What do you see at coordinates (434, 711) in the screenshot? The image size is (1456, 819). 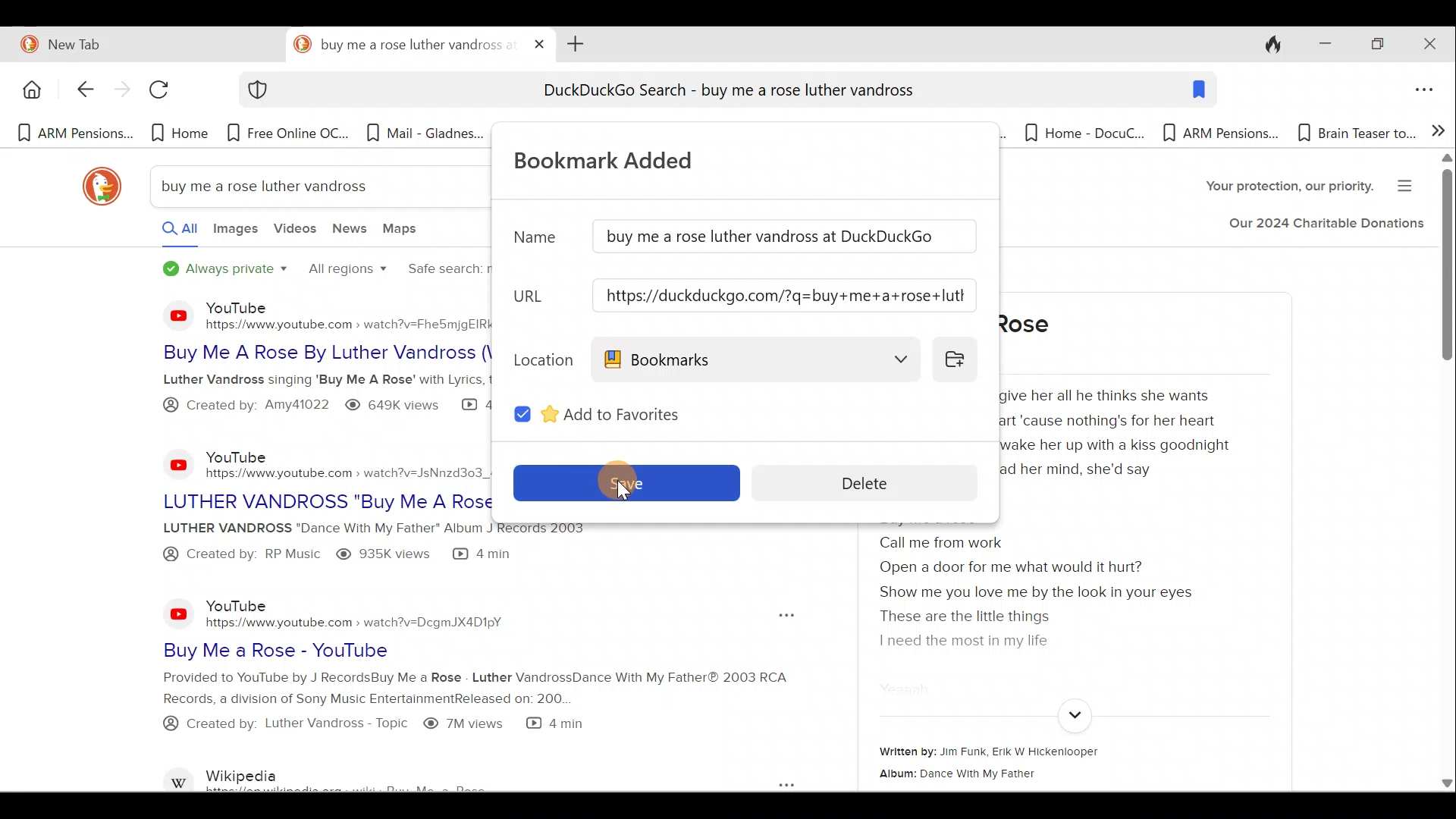 I see `Provided to YouTube by J RecordsBuy Me a Rose - Luther VandrossDance With My Father® 2003 RCA
Records, a division of Sony Music EntertainmentReleased on: 200.
@ Created by: Luther Vandross - Topic ® 7Mviews (& 4 min` at bounding box center [434, 711].